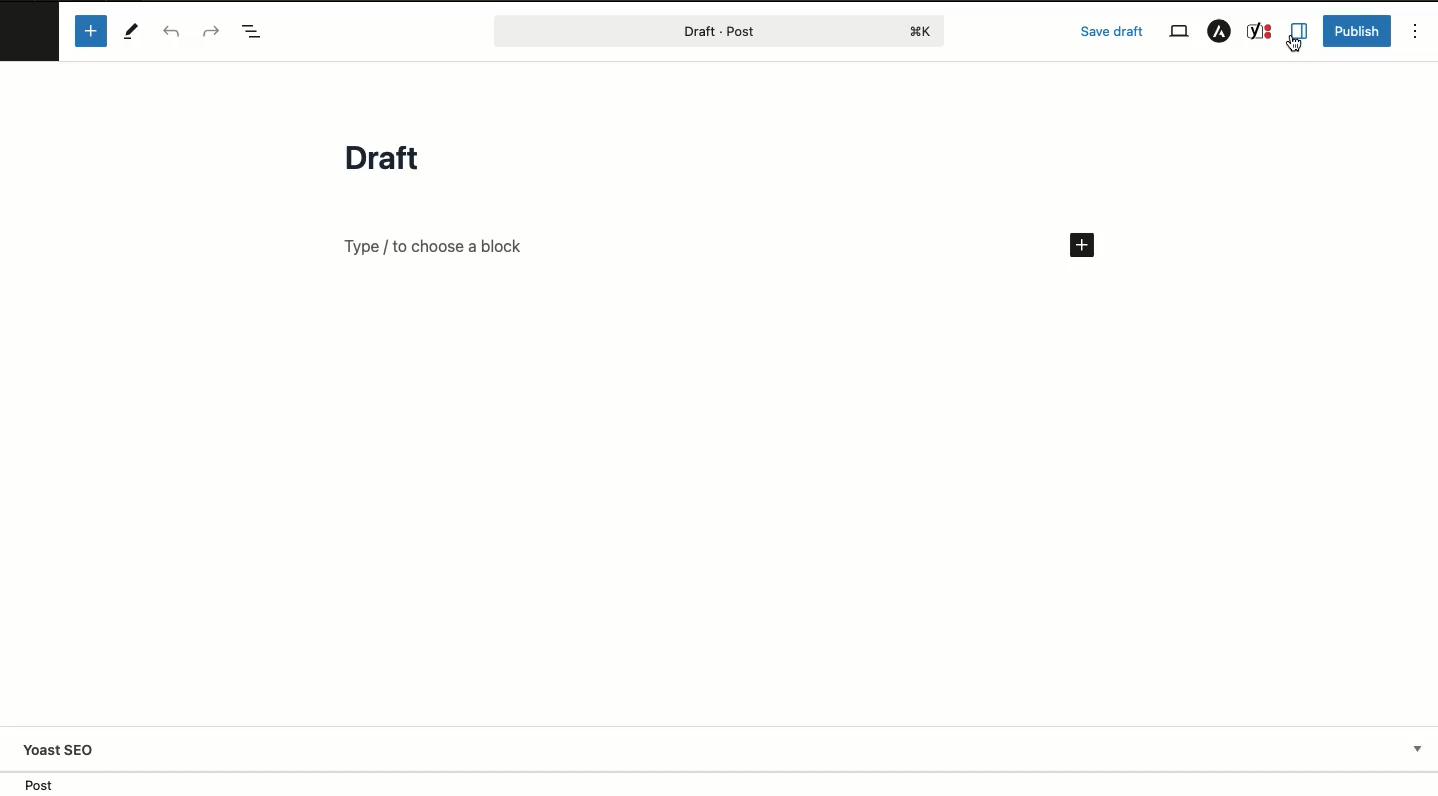  What do you see at coordinates (1300, 29) in the screenshot?
I see `Sidebar` at bounding box center [1300, 29].